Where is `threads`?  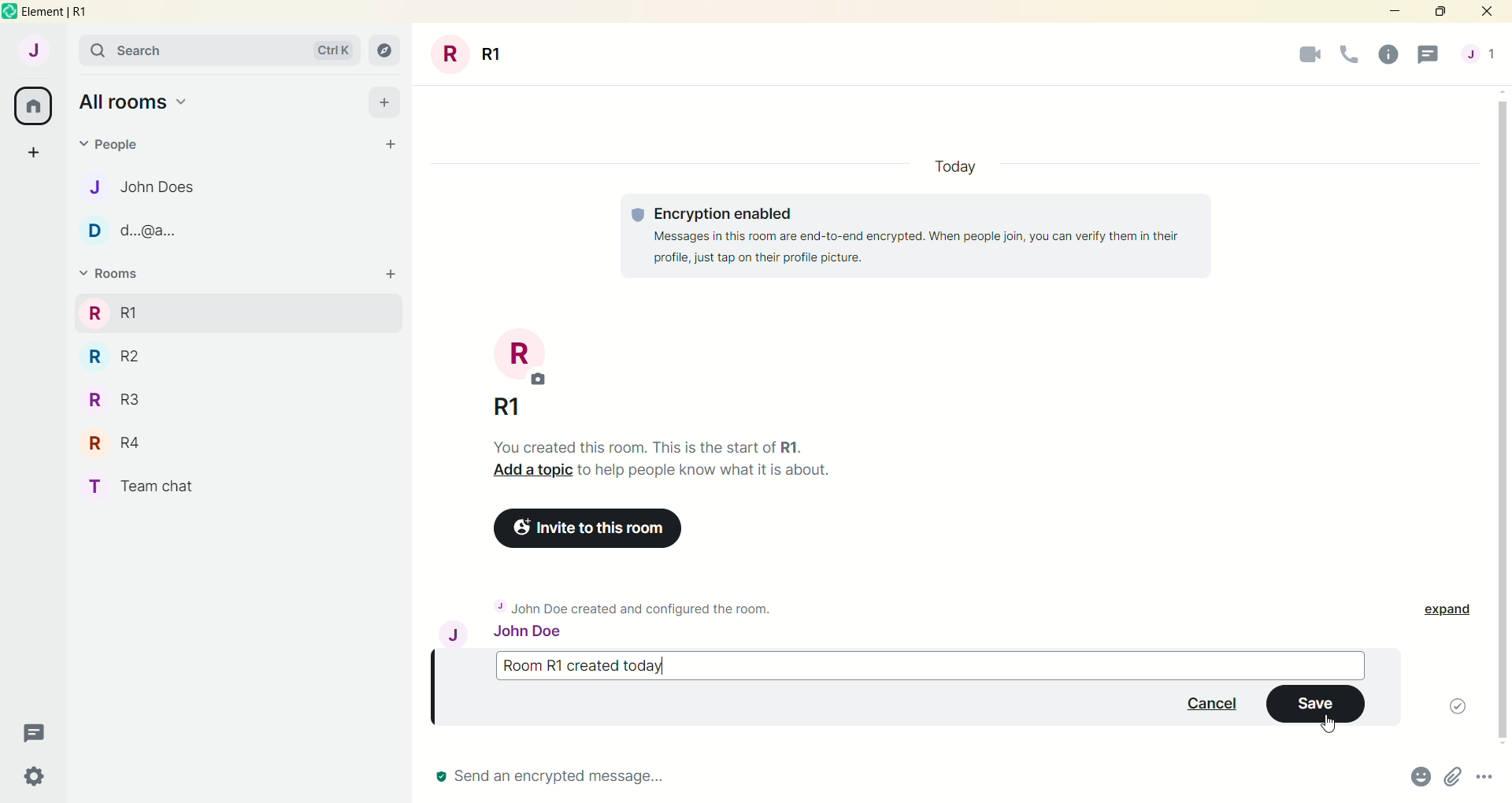
threads is located at coordinates (1429, 54).